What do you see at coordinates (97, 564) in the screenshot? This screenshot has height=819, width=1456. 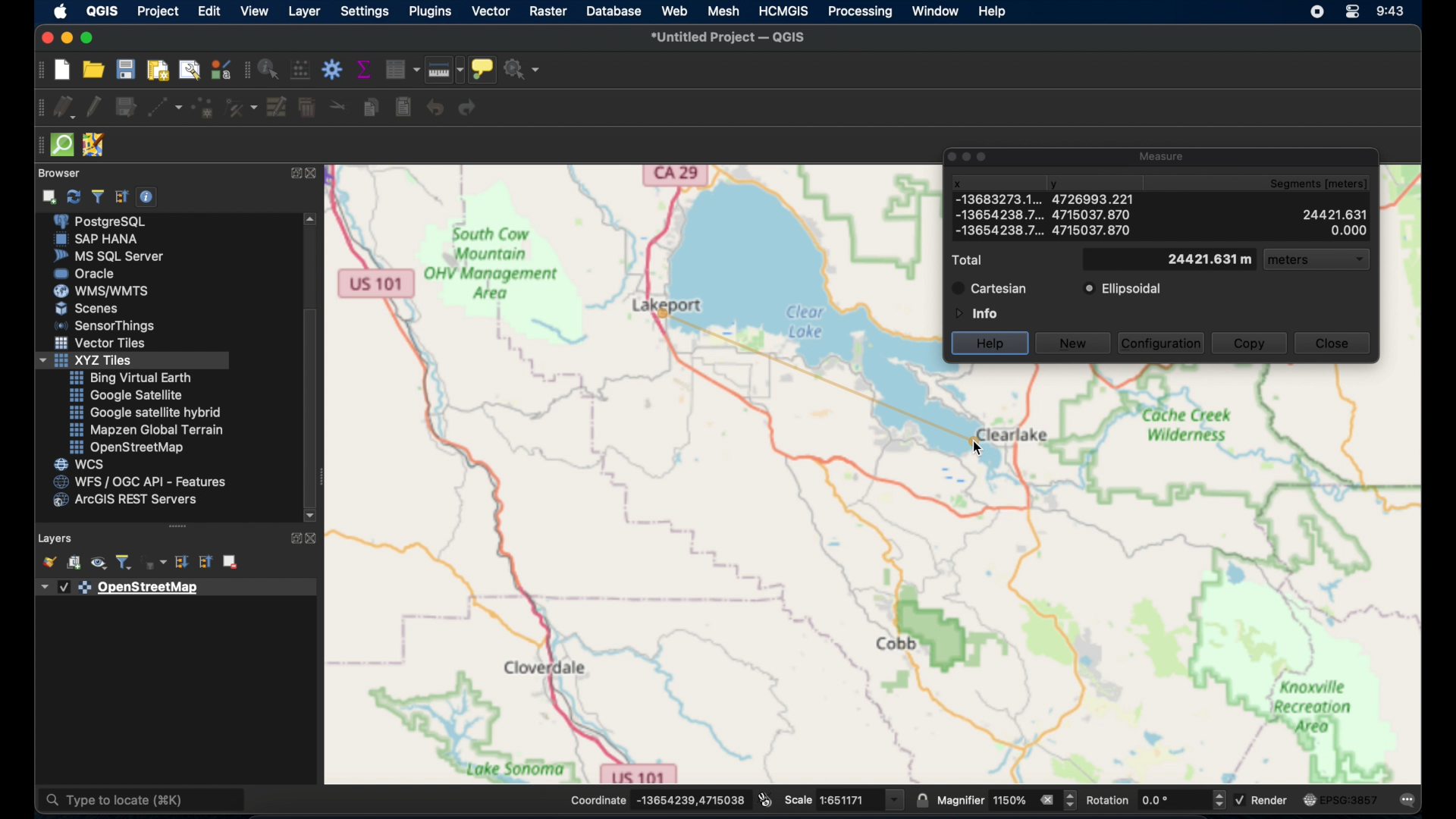 I see `manage map. themes` at bounding box center [97, 564].